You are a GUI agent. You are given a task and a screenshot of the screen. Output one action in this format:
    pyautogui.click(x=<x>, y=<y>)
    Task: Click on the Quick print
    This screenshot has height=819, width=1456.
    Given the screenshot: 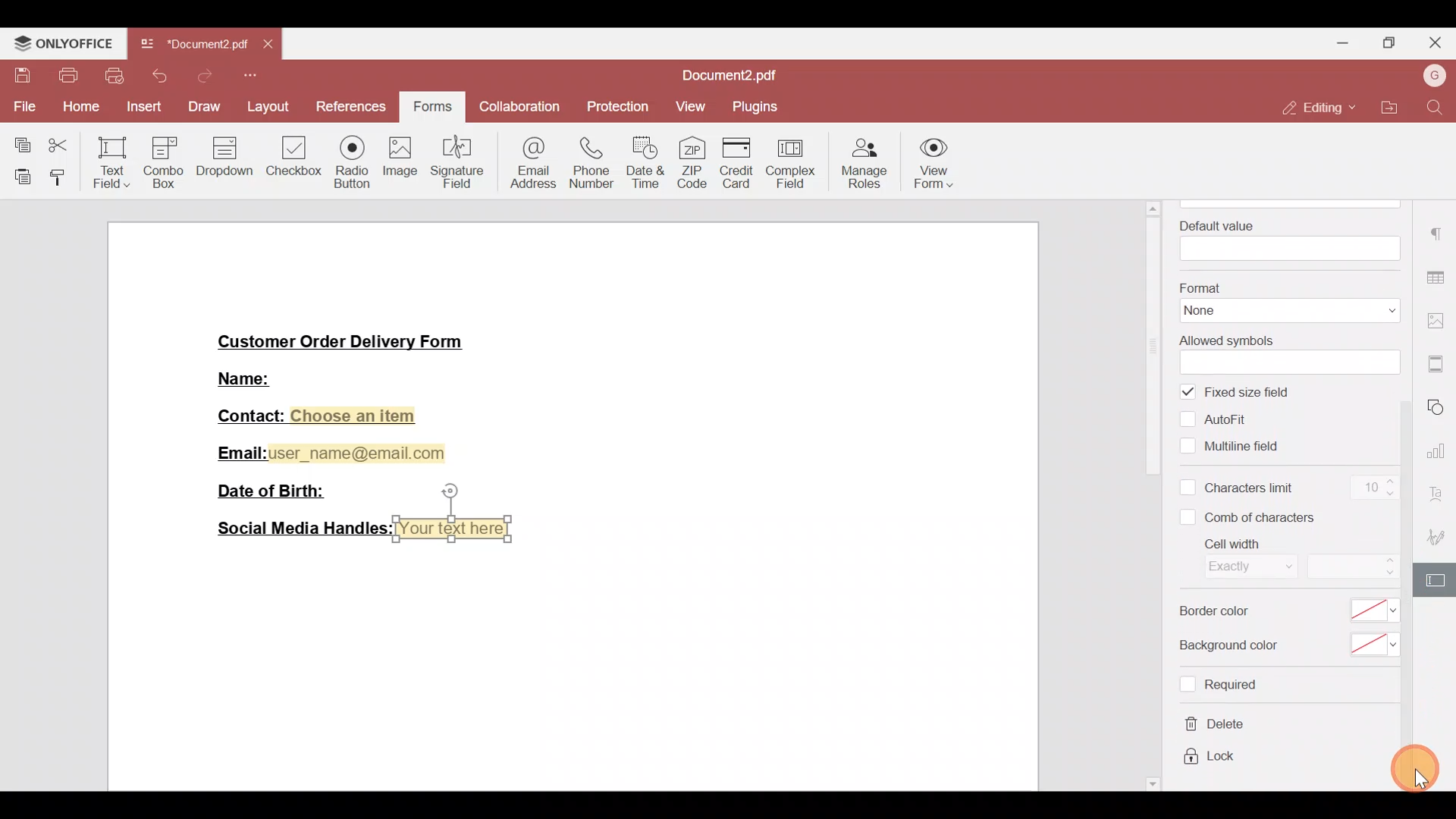 What is the action you would take?
    pyautogui.click(x=116, y=76)
    